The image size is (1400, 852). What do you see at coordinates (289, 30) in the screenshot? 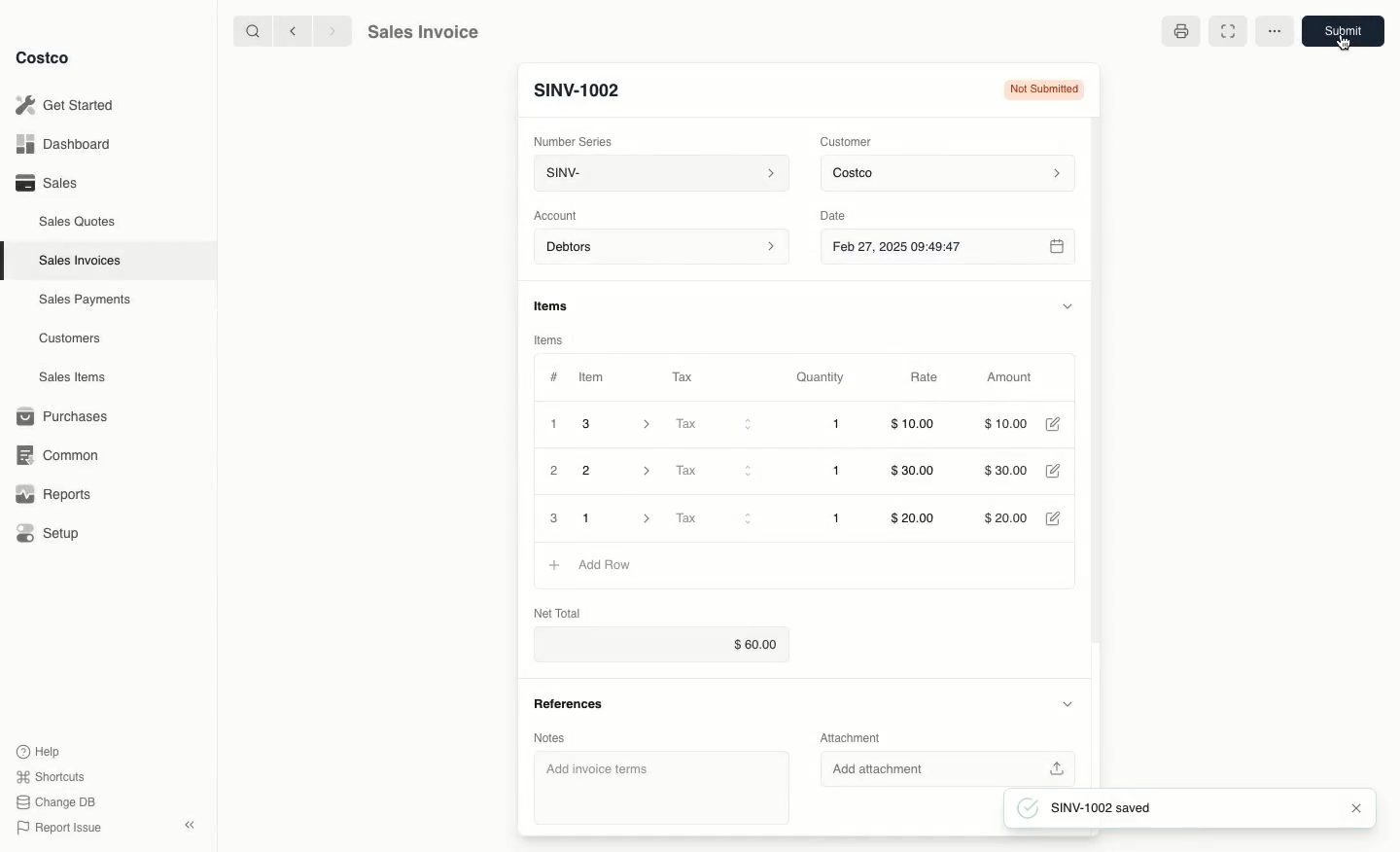
I see `backward` at bounding box center [289, 30].